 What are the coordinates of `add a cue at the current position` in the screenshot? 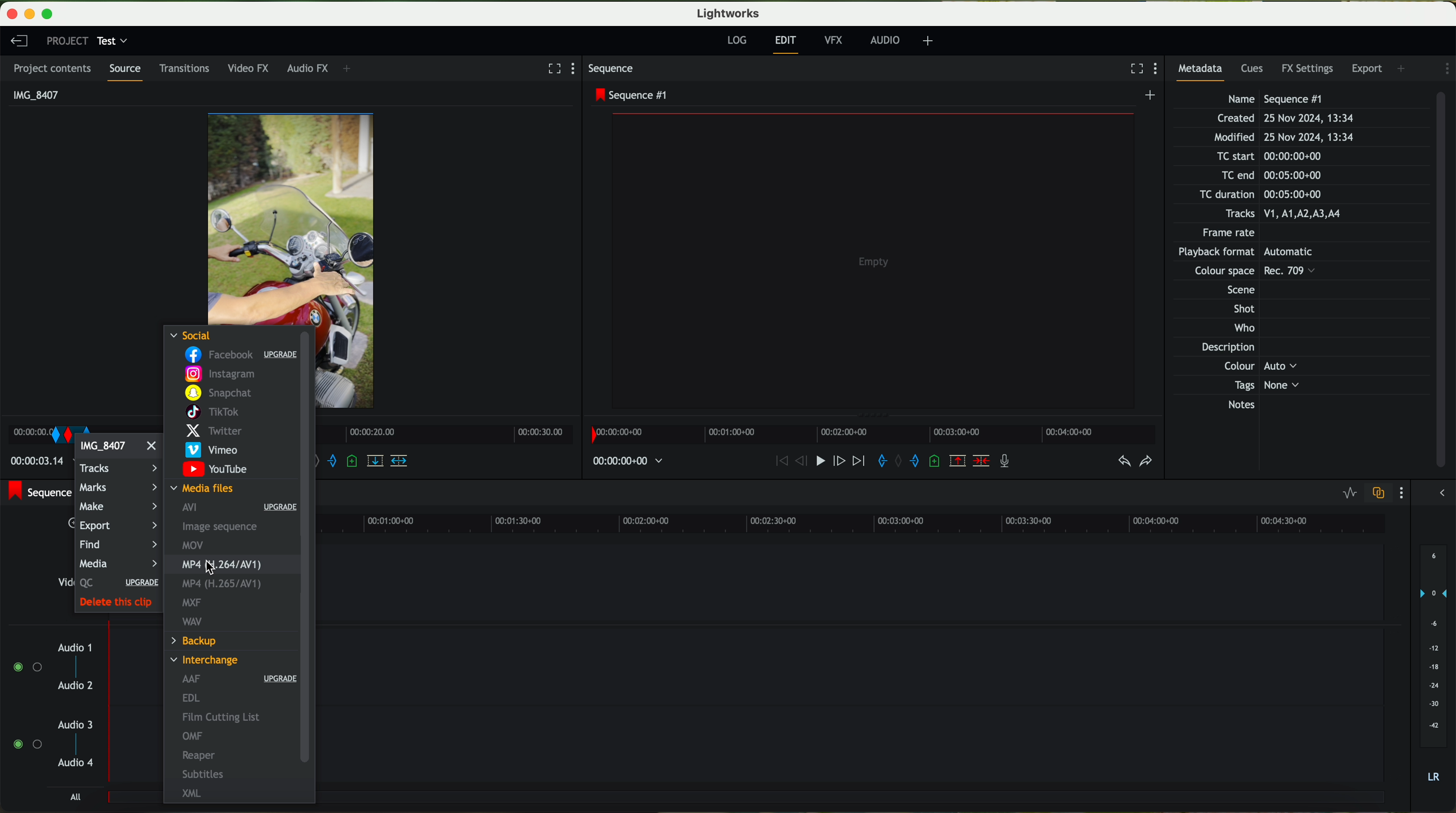 It's located at (937, 462).